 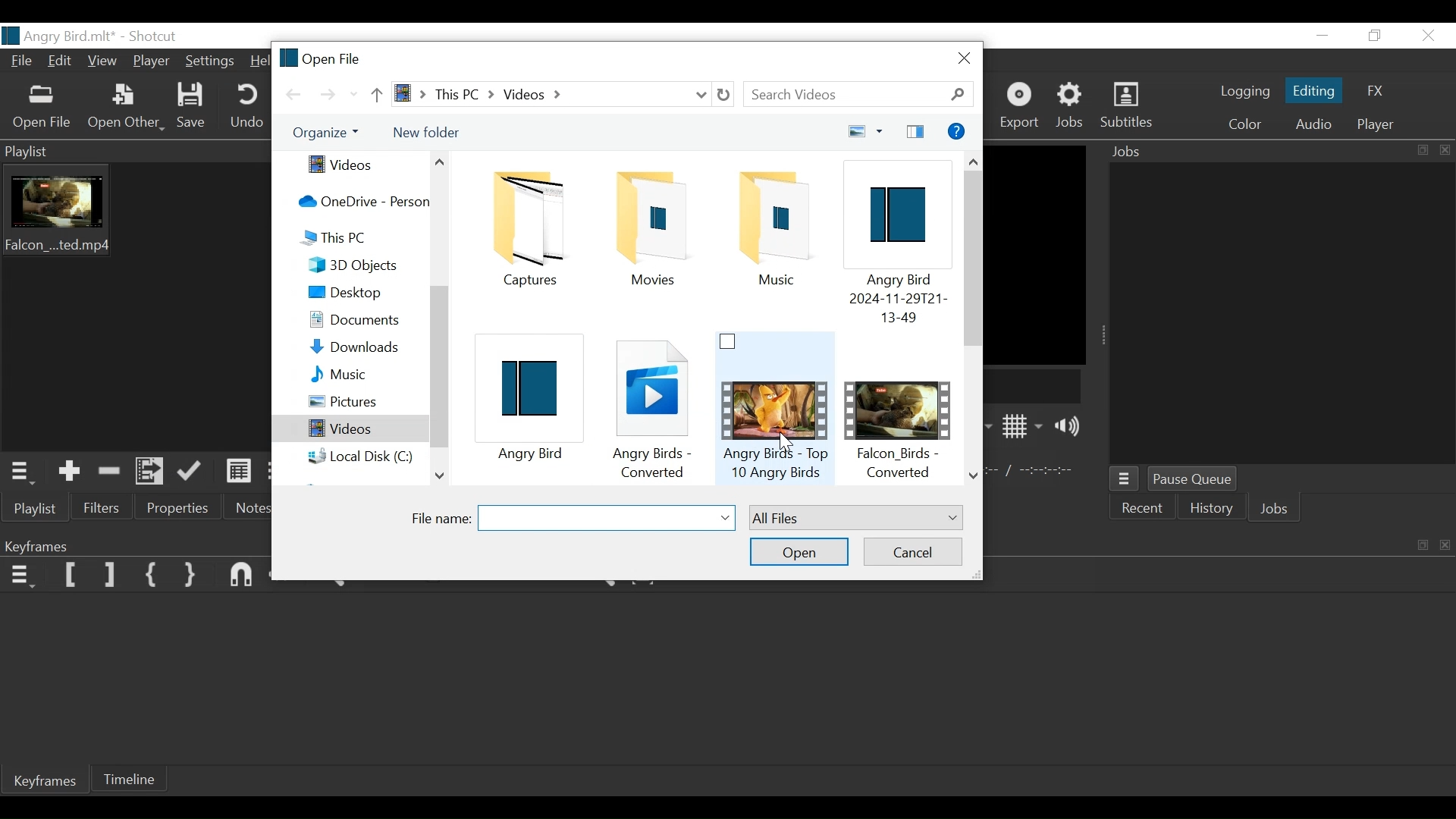 What do you see at coordinates (442, 367) in the screenshot?
I see `Vertical Scroll bar` at bounding box center [442, 367].